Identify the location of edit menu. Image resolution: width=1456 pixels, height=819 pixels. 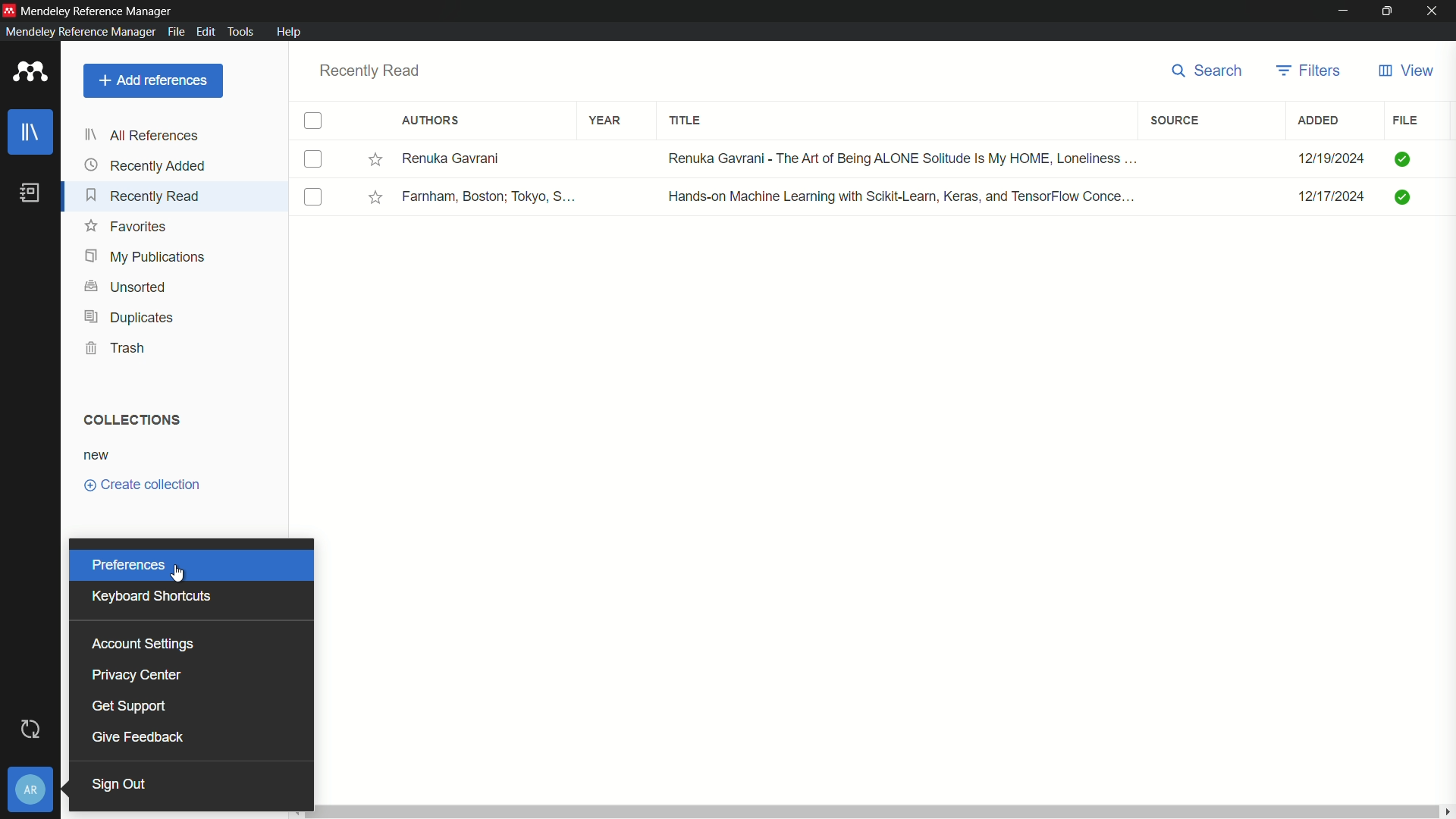
(206, 32).